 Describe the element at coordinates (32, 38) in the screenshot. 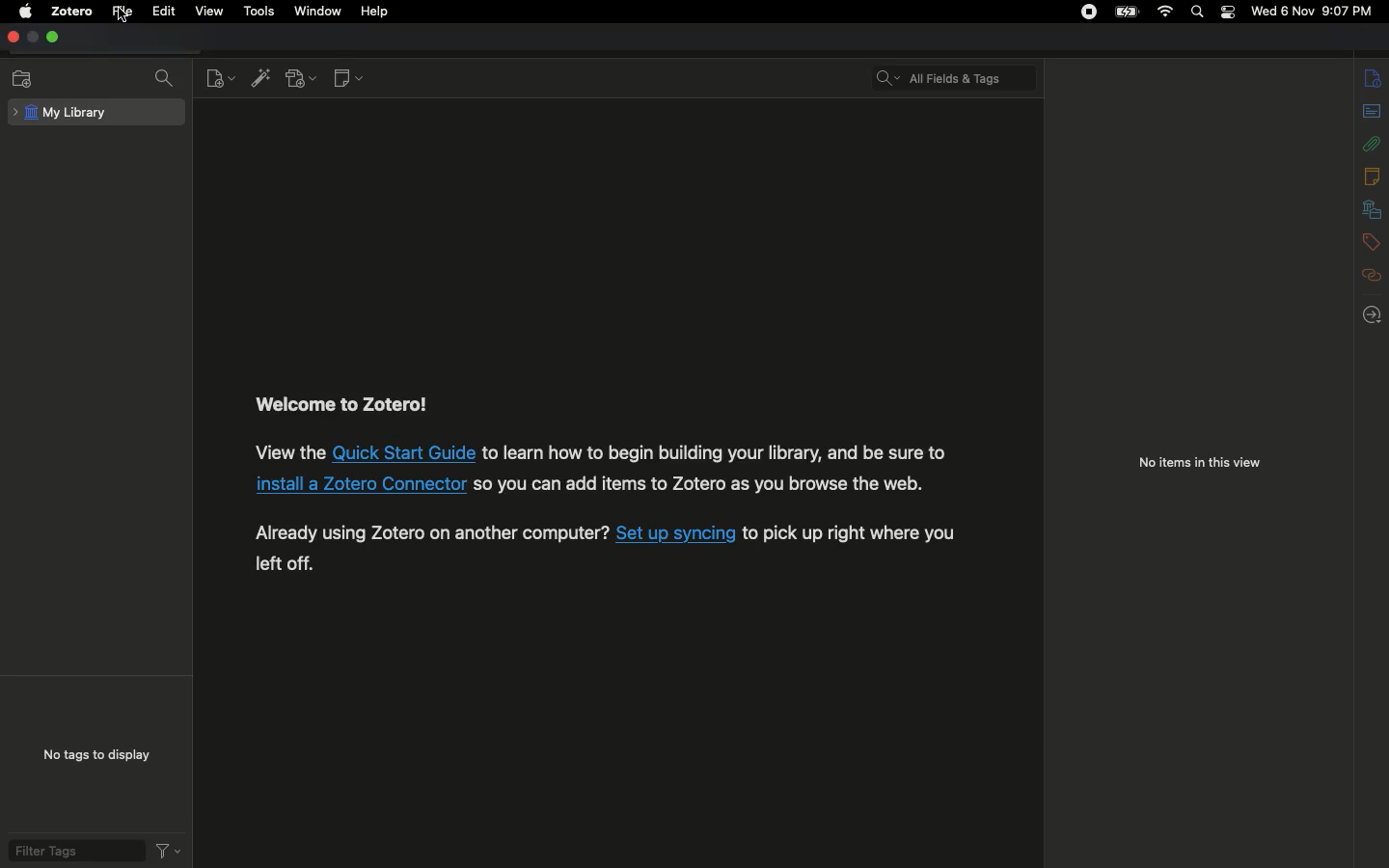

I see `Minimize` at that location.